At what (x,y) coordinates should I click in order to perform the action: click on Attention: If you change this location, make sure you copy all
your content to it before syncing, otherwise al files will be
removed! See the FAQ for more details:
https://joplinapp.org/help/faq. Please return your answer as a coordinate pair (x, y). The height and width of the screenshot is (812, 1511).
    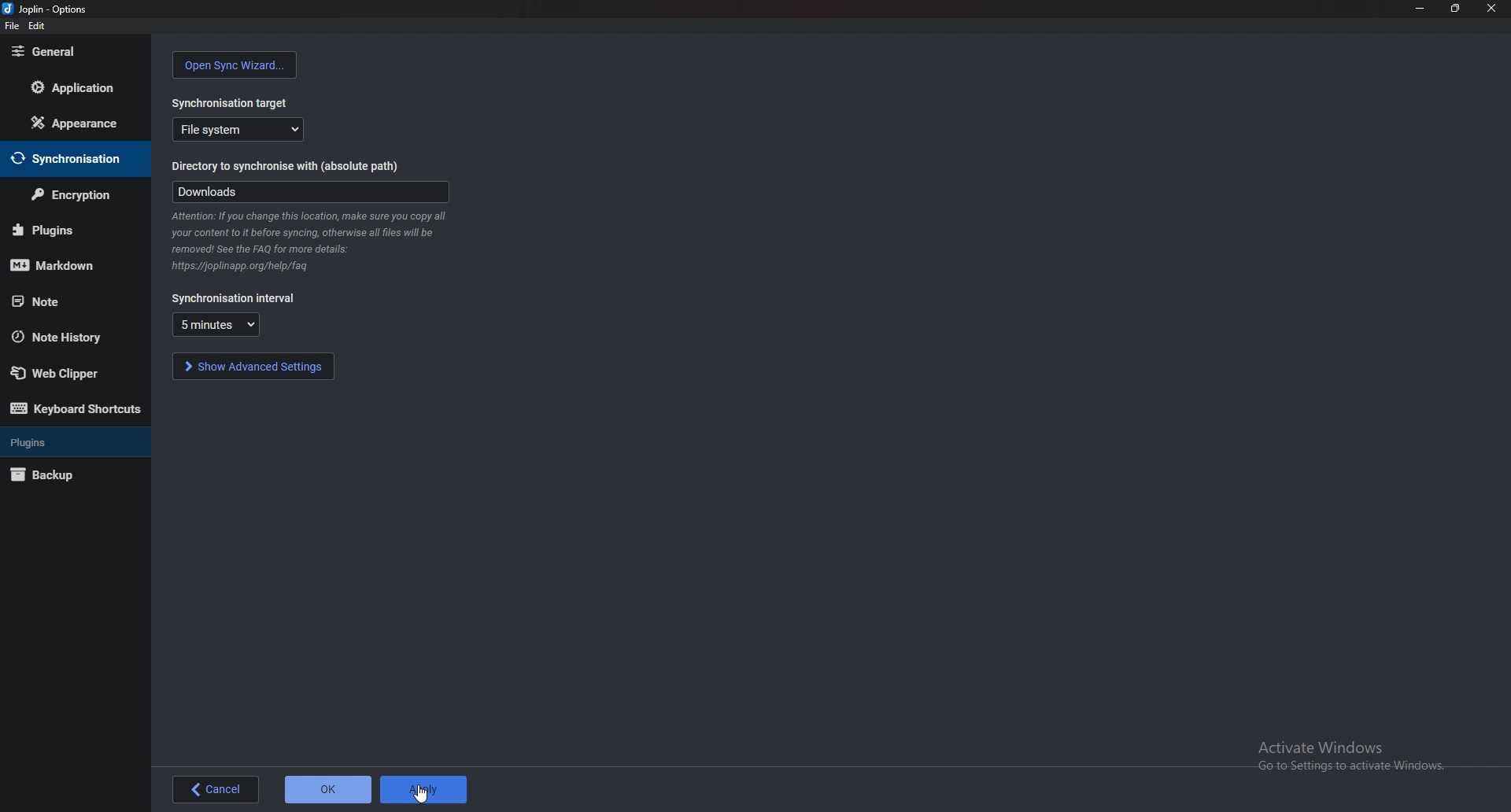
    Looking at the image, I should click on (310, 242).